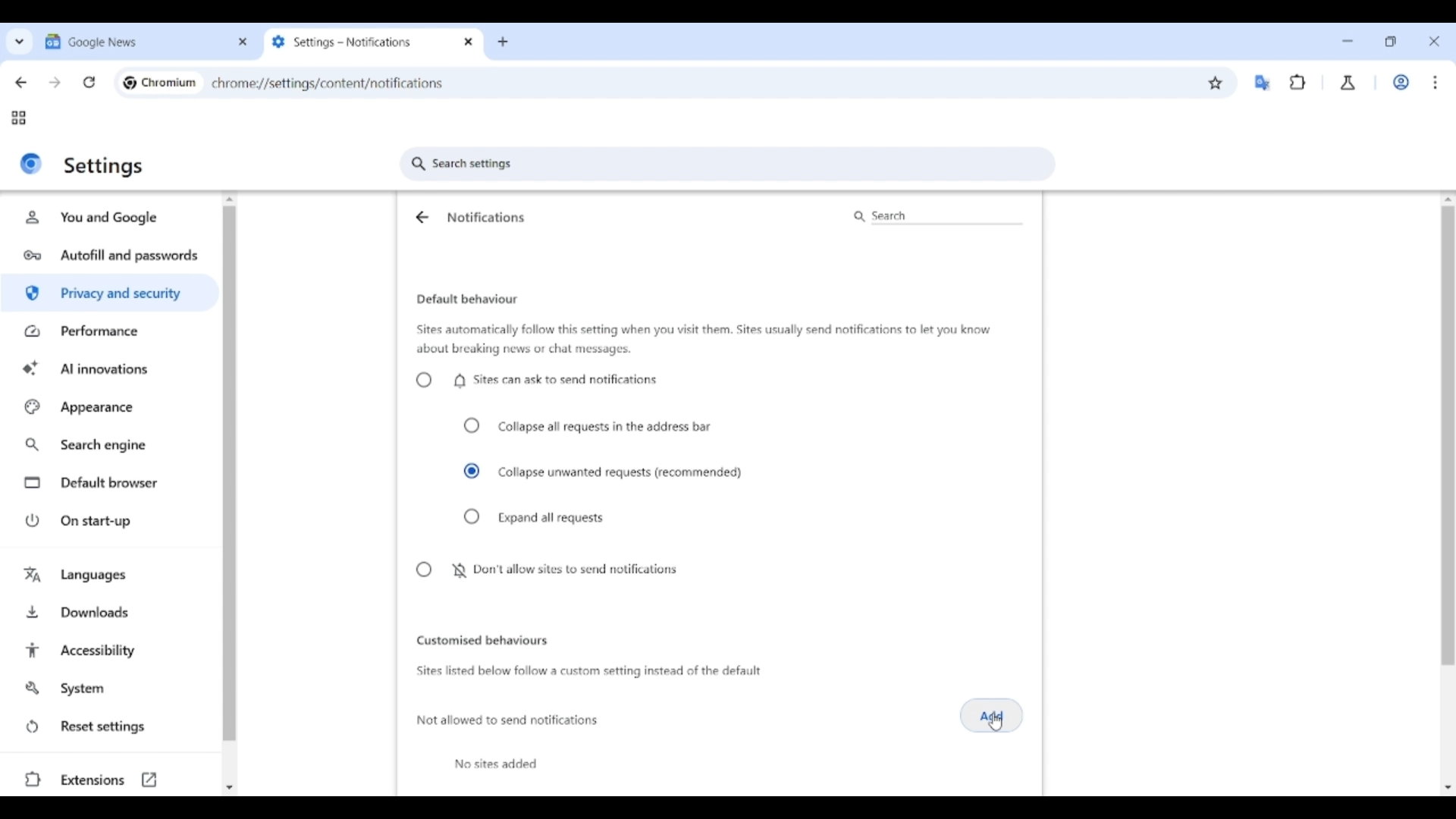 The image size is (1456, 819). Describe the element at coordinates (109, 689) in the screenshot. I see `System` at that location.